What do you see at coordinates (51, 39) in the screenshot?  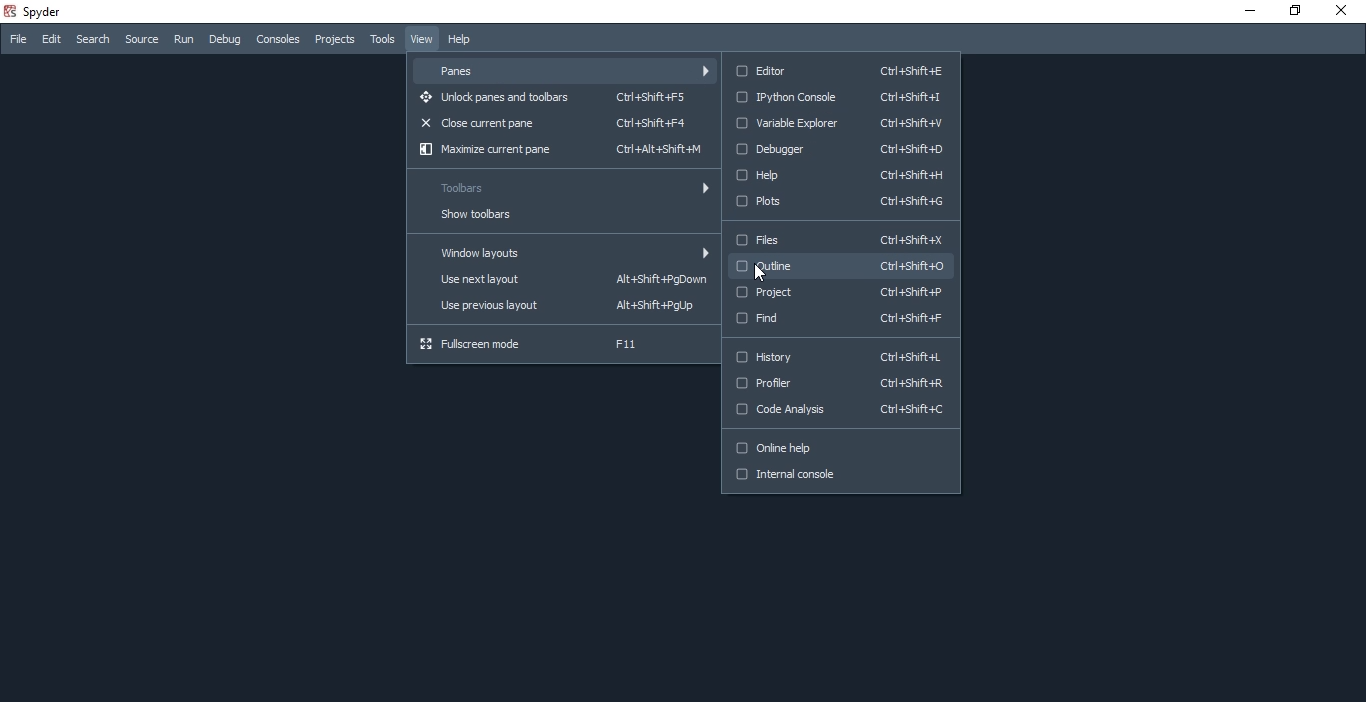 I see `edit` at bounding box center [51, 39].